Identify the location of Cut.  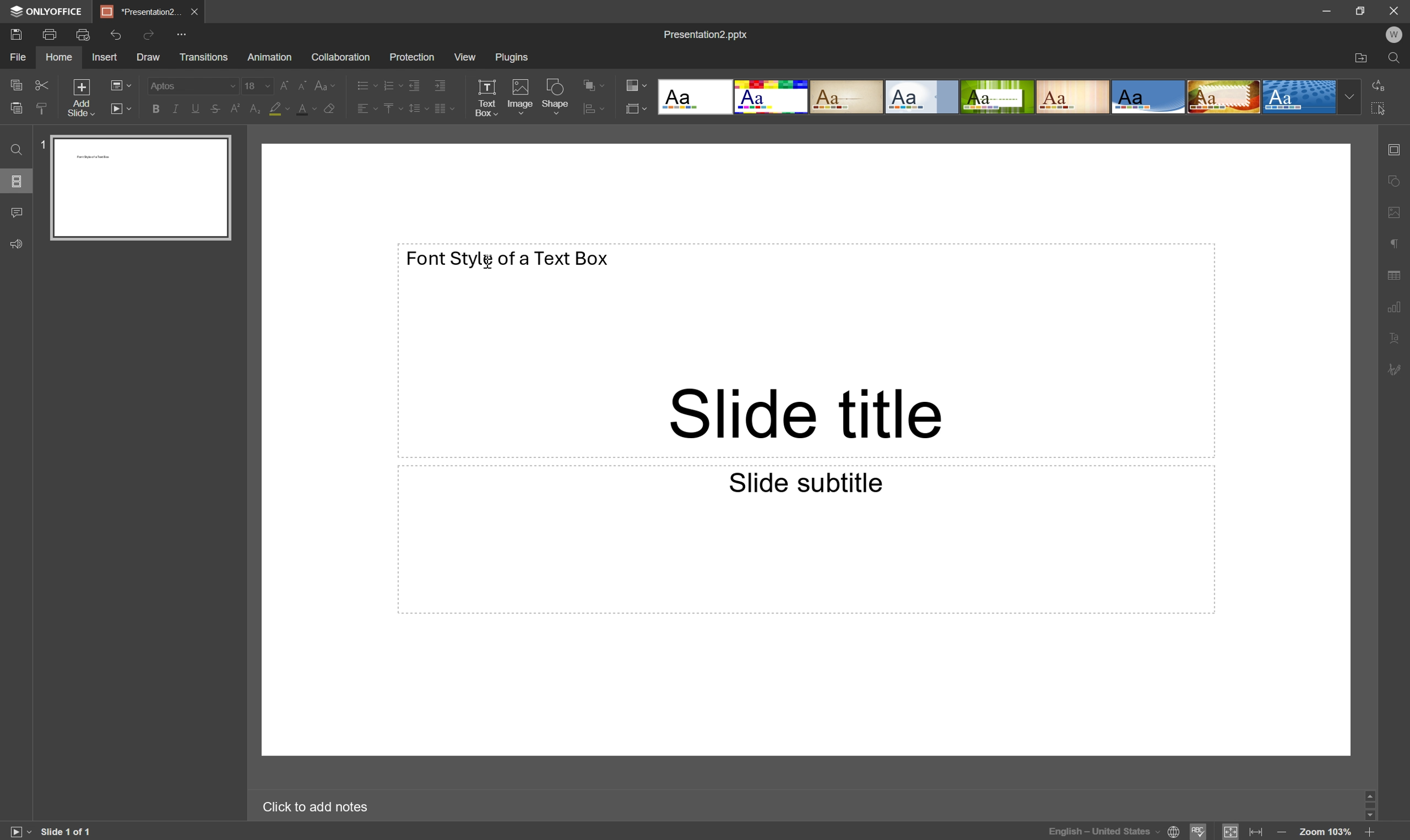
(43, 83).